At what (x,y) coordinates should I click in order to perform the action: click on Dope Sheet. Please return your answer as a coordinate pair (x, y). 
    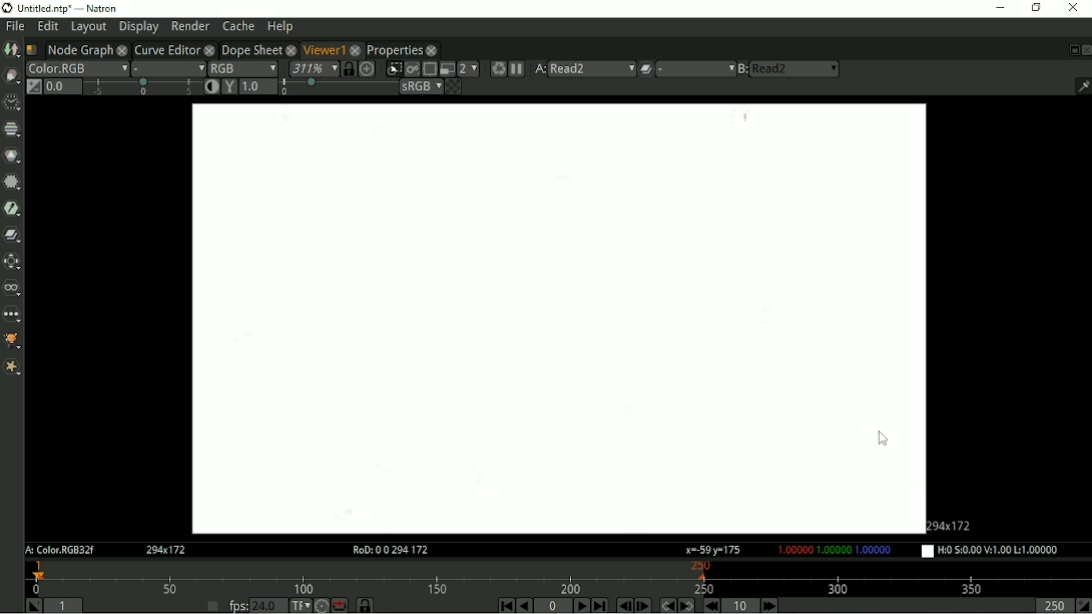
    Looking at the image, I should click on (250, 48).